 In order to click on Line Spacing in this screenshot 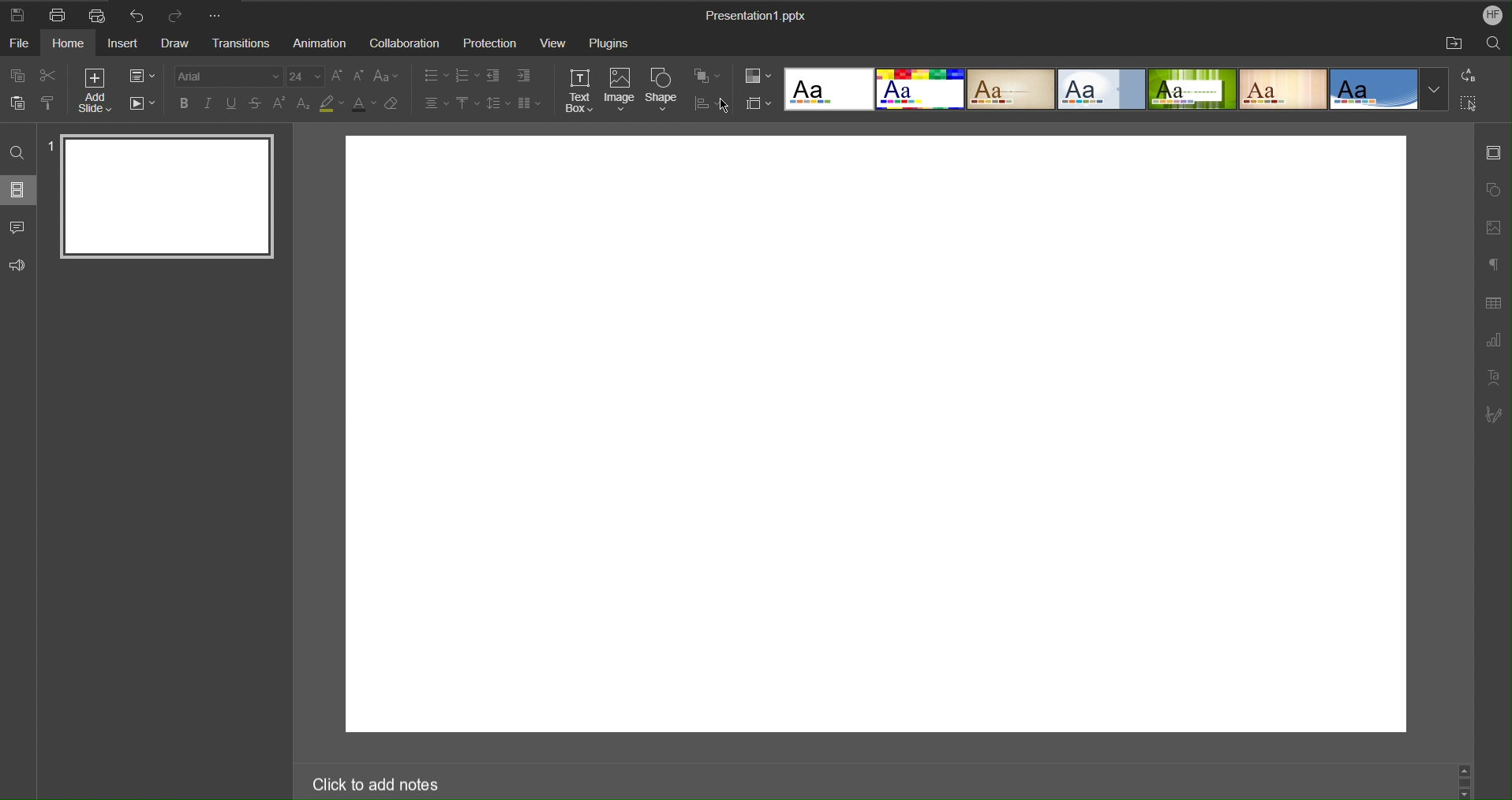, I will do `click(499, 105)`.